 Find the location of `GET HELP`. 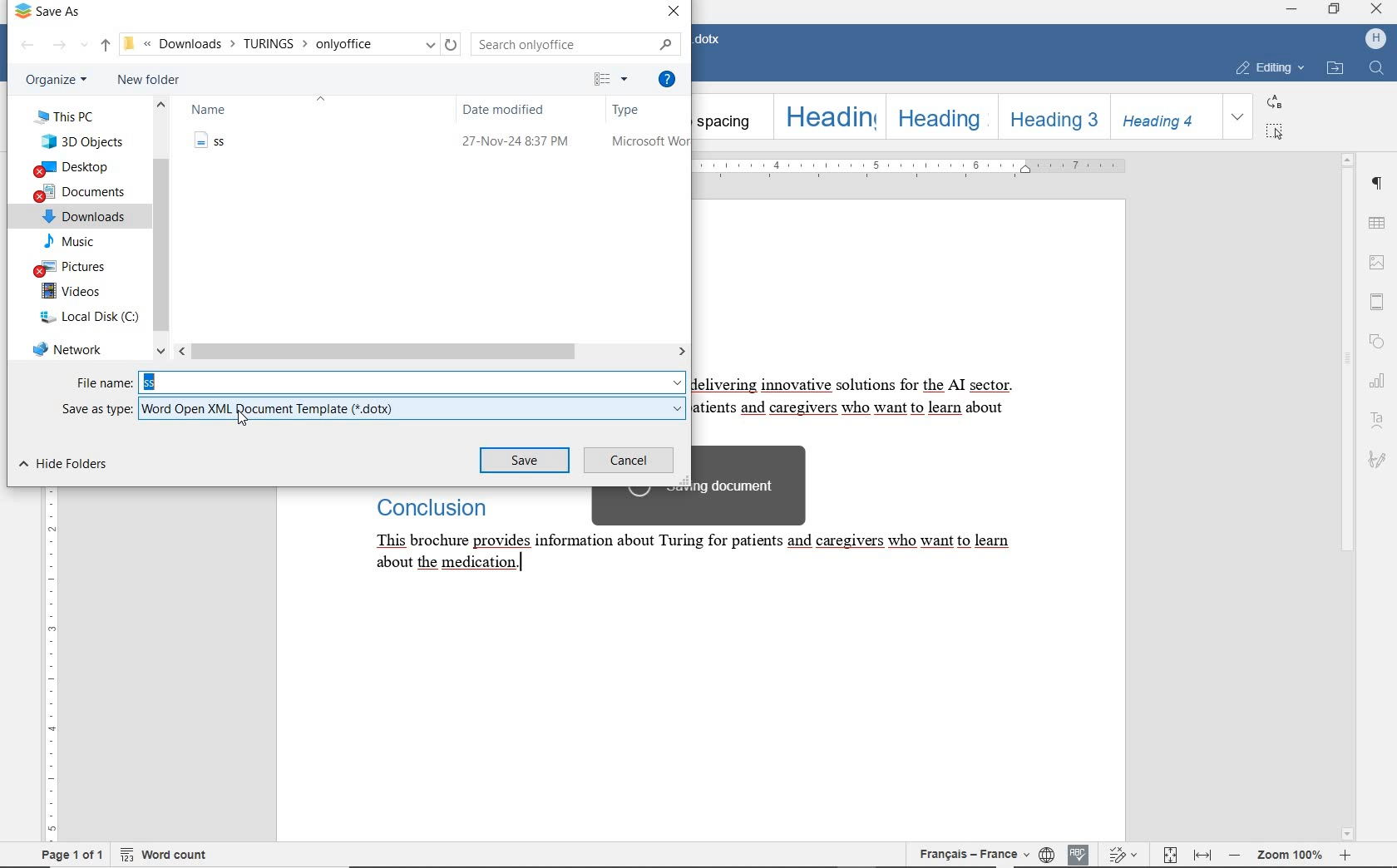

GET HELP is located at coordinates (667, 79).